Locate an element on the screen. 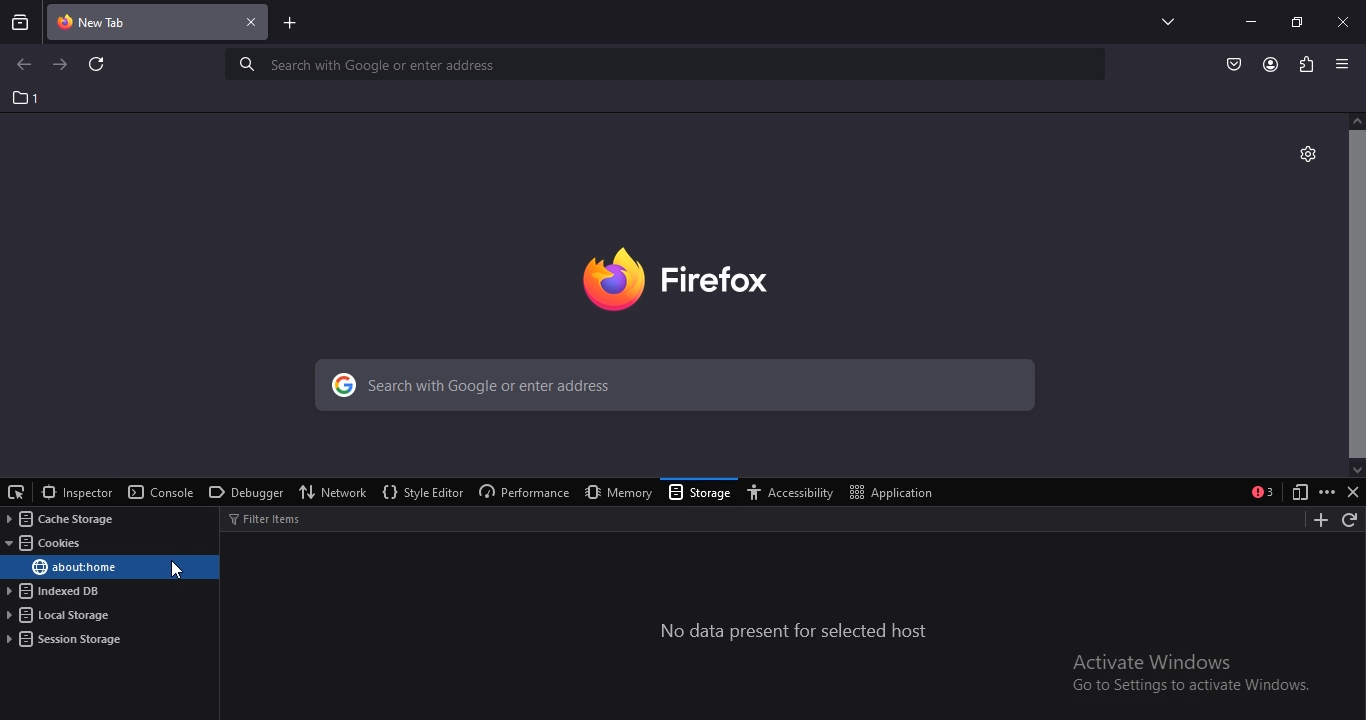  add items is located at coordinates (1316, 520).